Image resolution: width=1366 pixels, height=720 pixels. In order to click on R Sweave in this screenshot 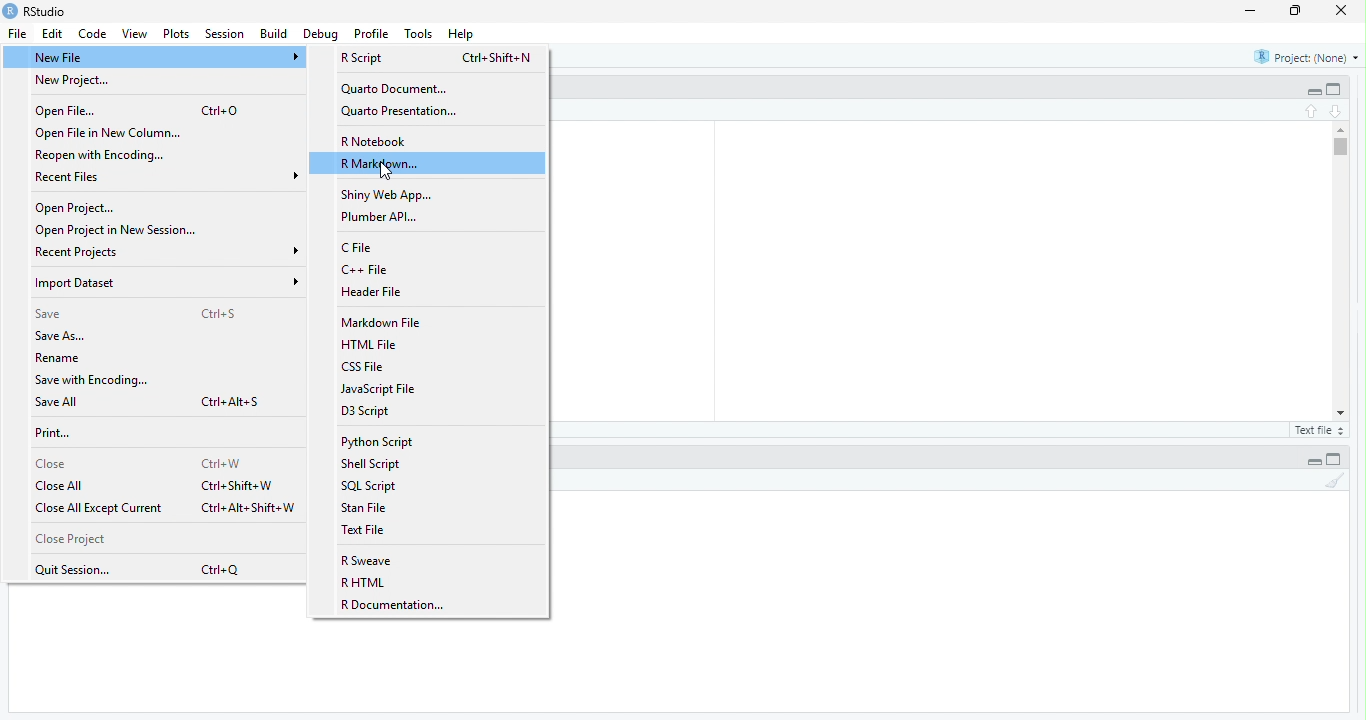, I will do `click(367, 562)`.